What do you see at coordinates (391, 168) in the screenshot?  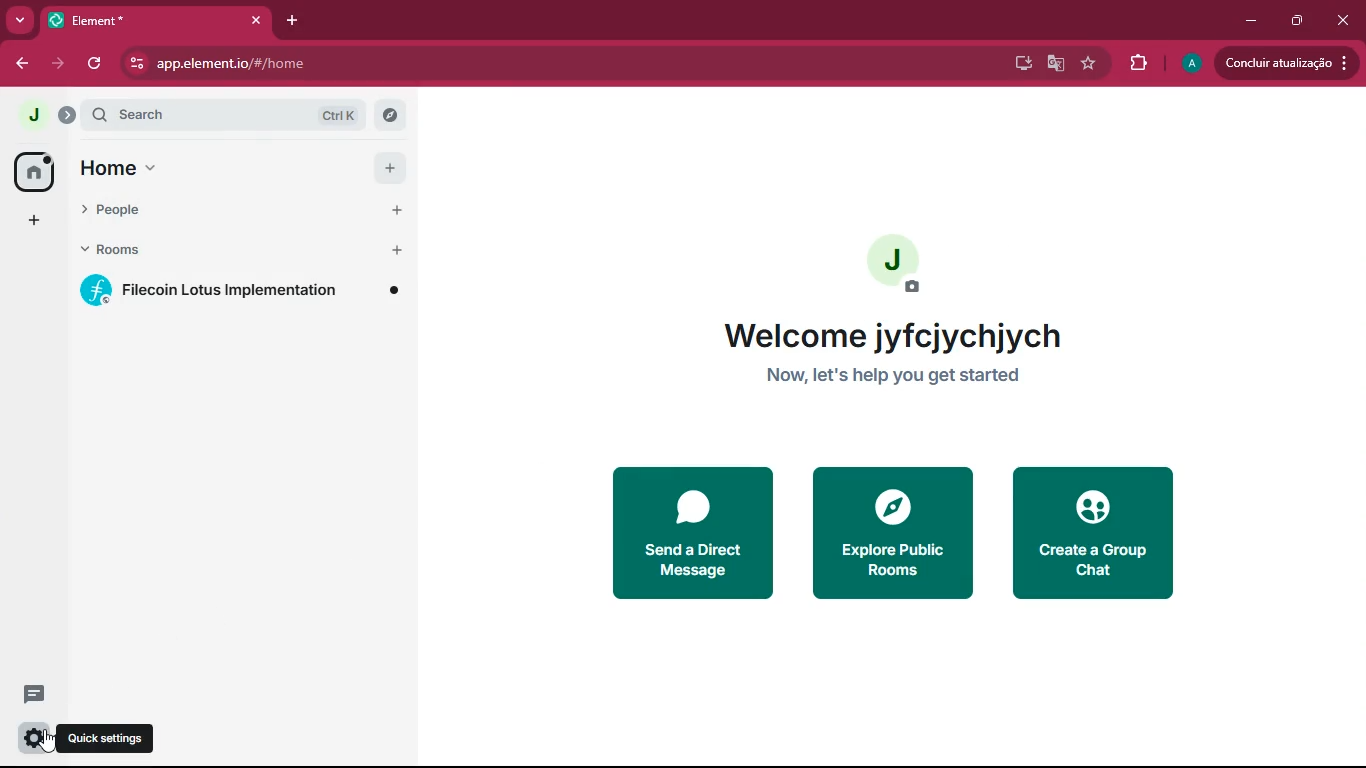 I see `add button` at bounding box center [391, 168].